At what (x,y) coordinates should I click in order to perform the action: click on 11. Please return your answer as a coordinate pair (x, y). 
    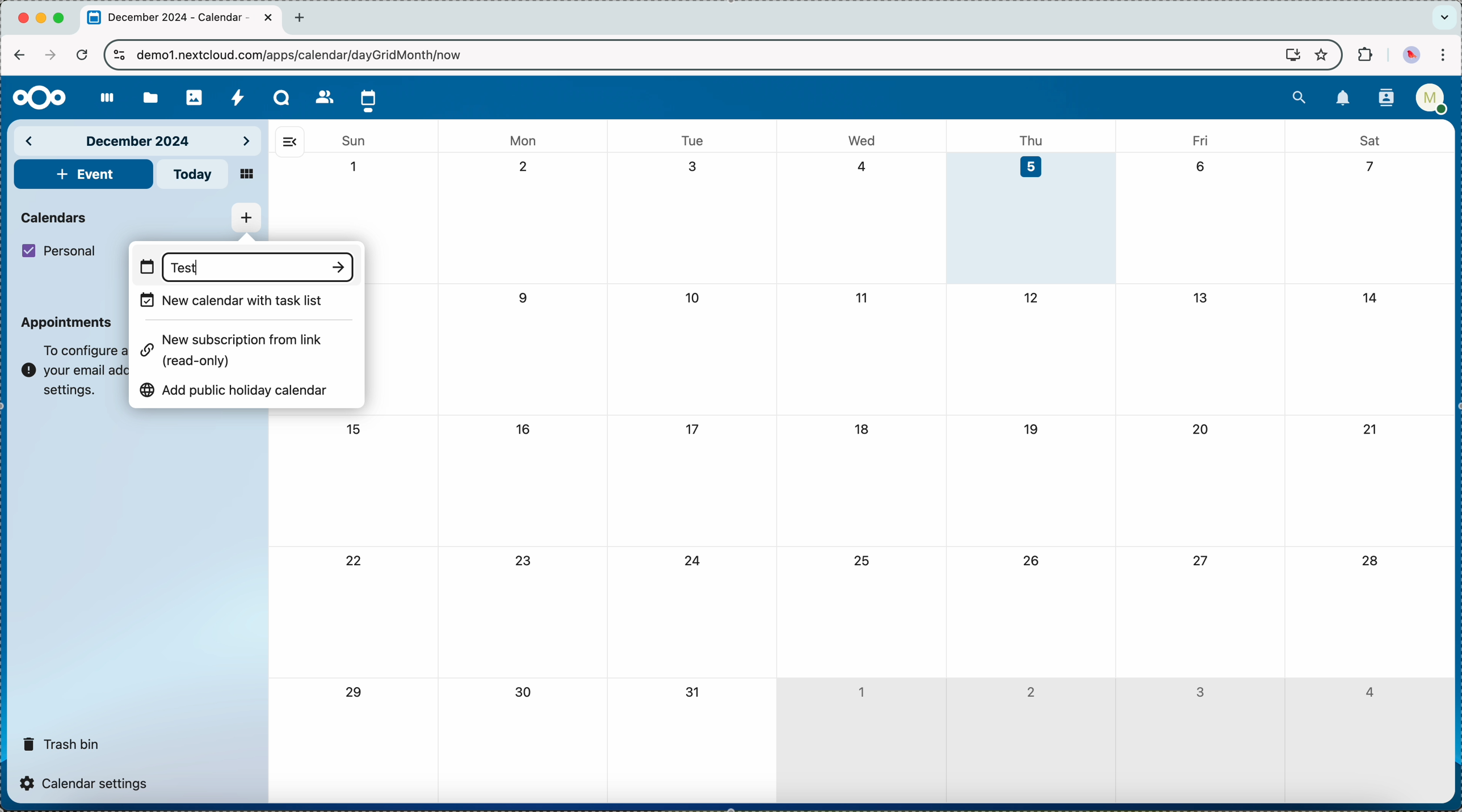
    Looking at the image, I should click on (860, 297).